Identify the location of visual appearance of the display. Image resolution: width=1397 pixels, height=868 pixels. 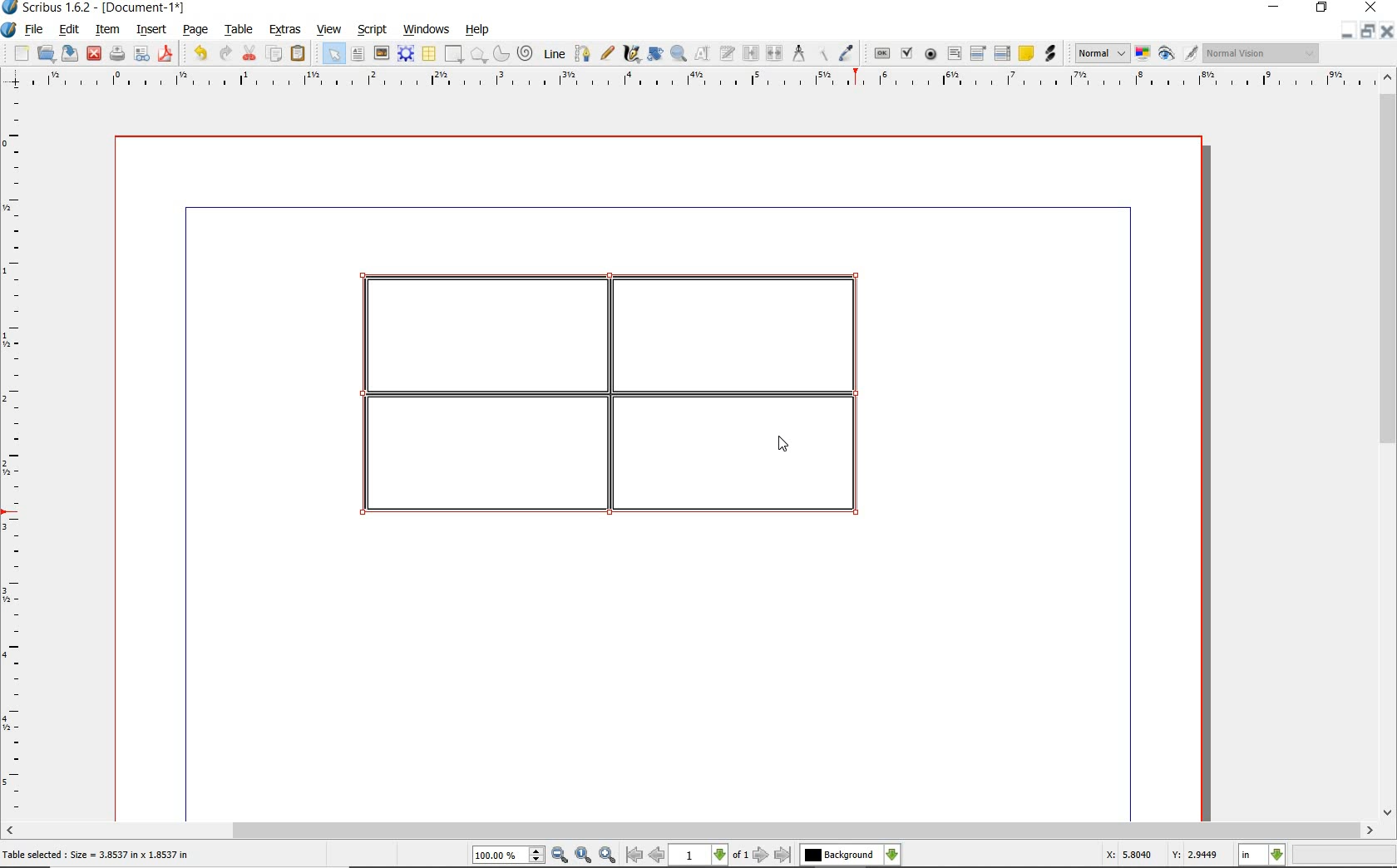
(1259, 53).